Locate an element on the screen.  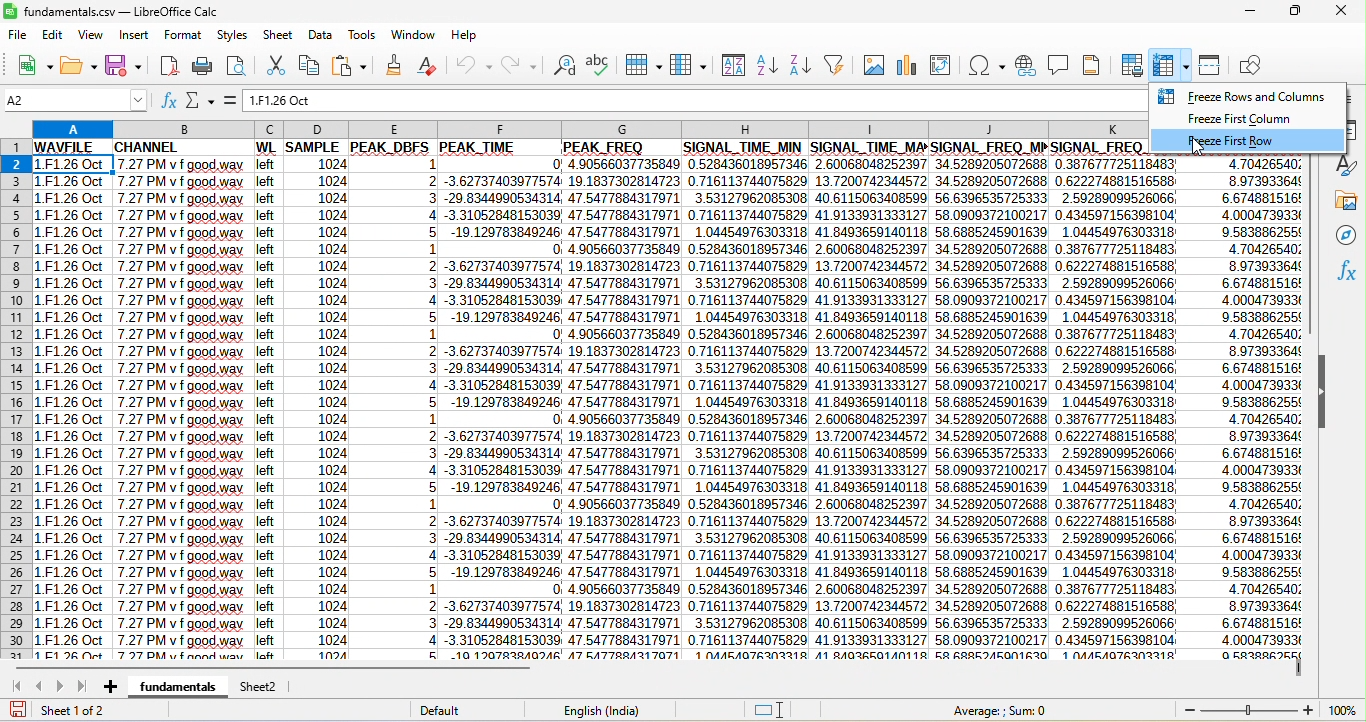
view is located at coordinates (94, 37).